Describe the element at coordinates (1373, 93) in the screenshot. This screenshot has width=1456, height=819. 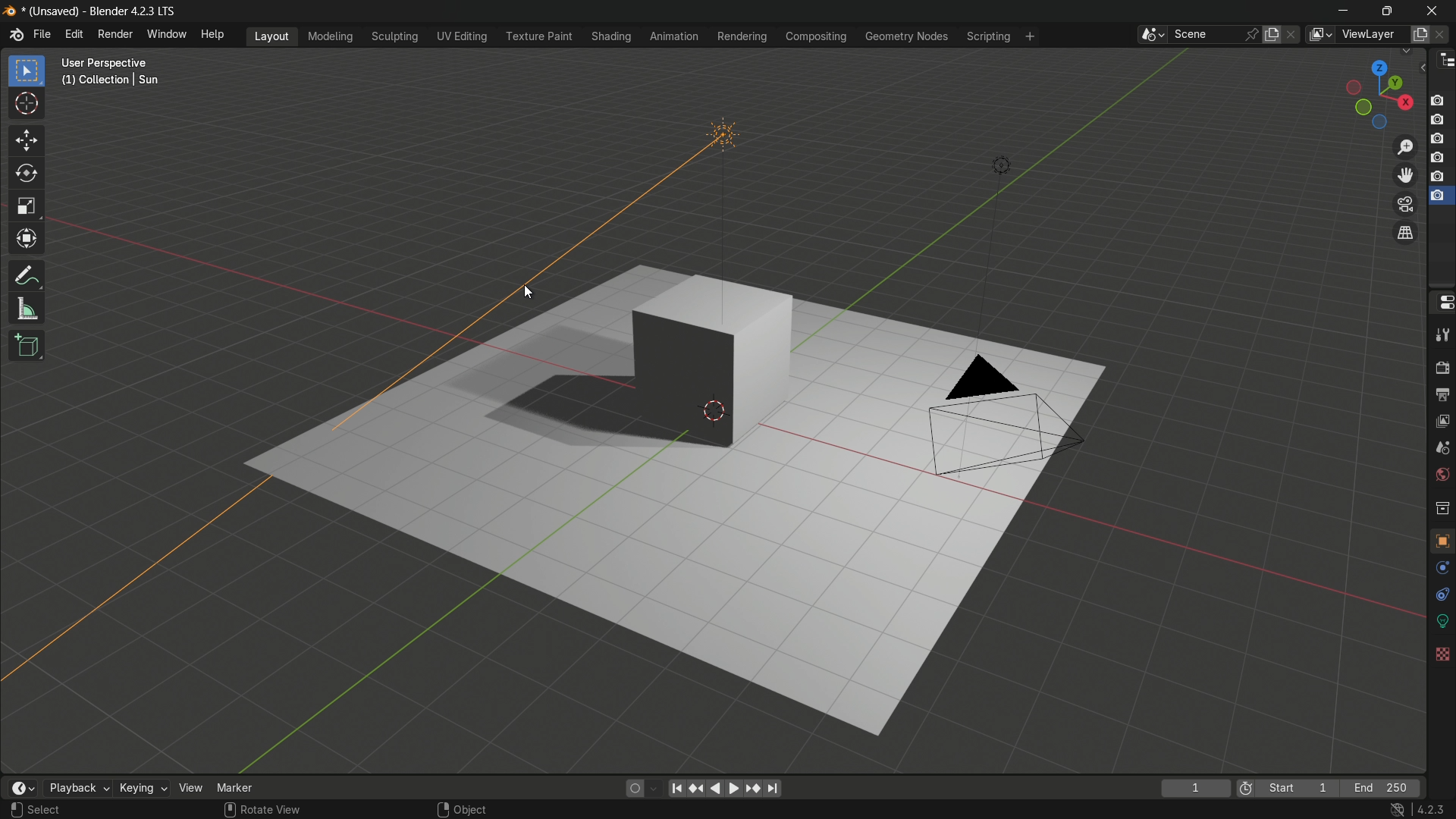
I see `rotate or preset viewpoint` at that location.